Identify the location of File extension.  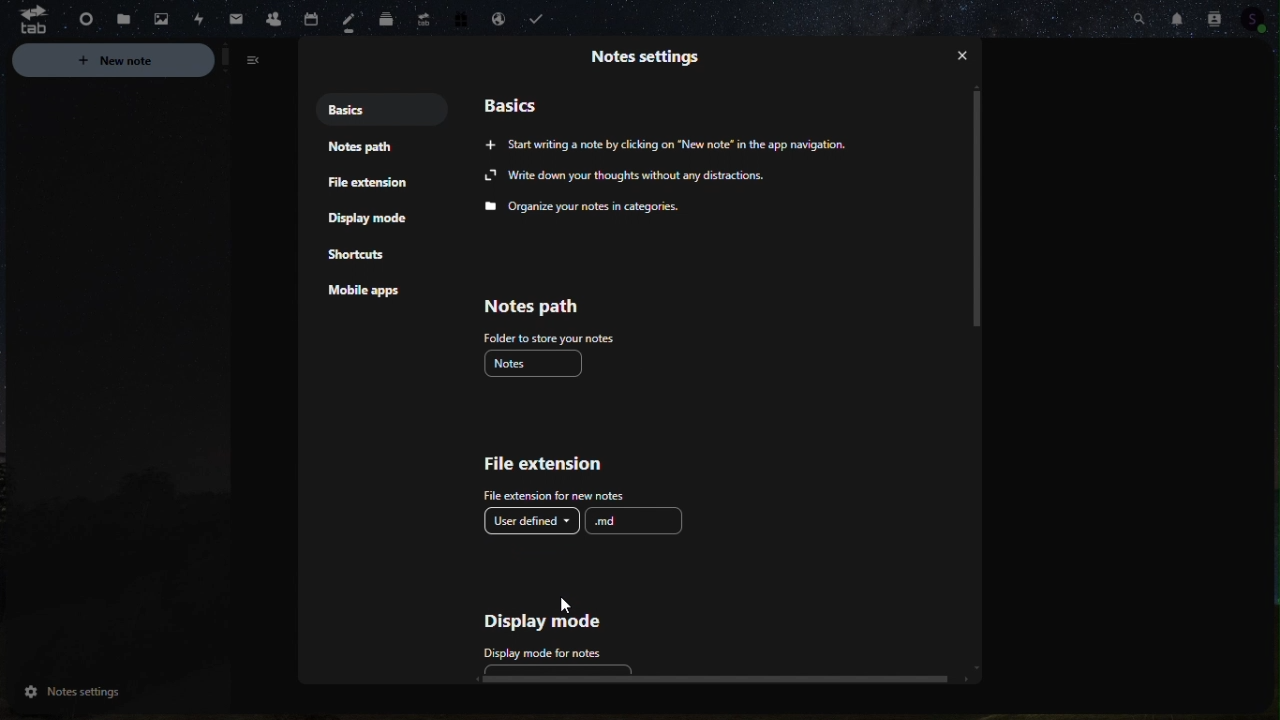
(557, 477).